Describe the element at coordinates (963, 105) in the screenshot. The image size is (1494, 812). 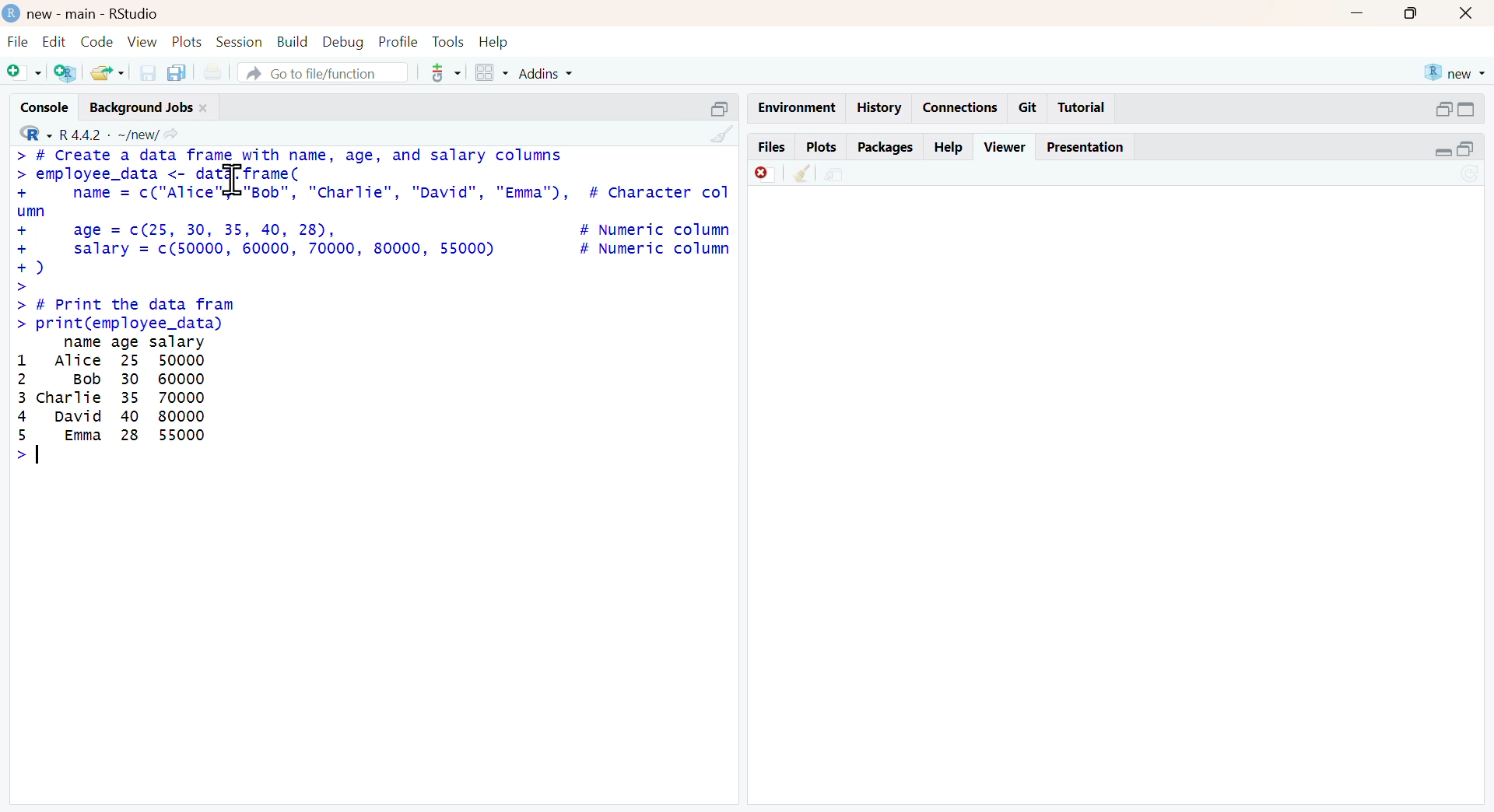
I see `Connections` at that location.